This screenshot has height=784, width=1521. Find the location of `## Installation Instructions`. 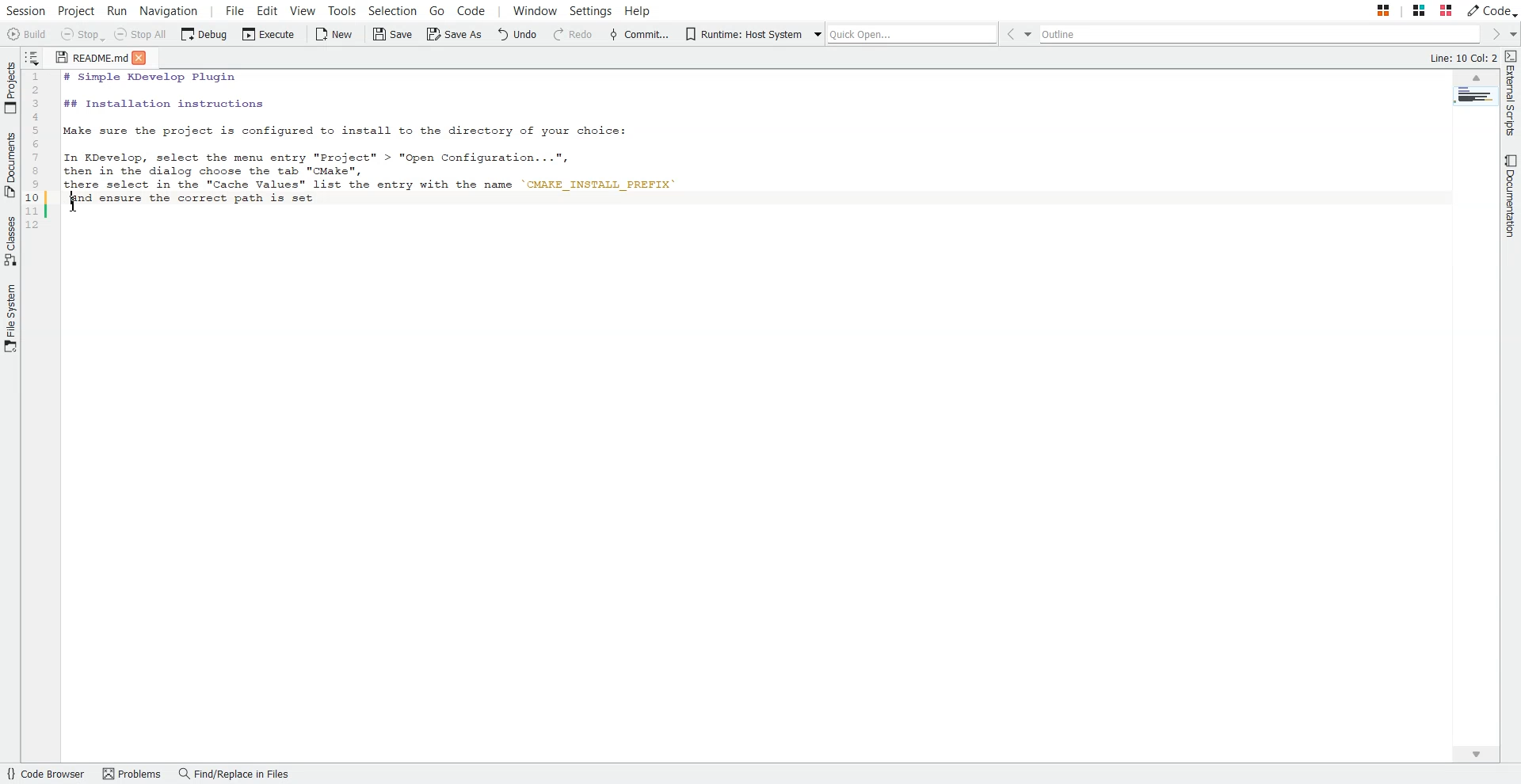

## Installation Instructions is located at coordinates (162, 105).